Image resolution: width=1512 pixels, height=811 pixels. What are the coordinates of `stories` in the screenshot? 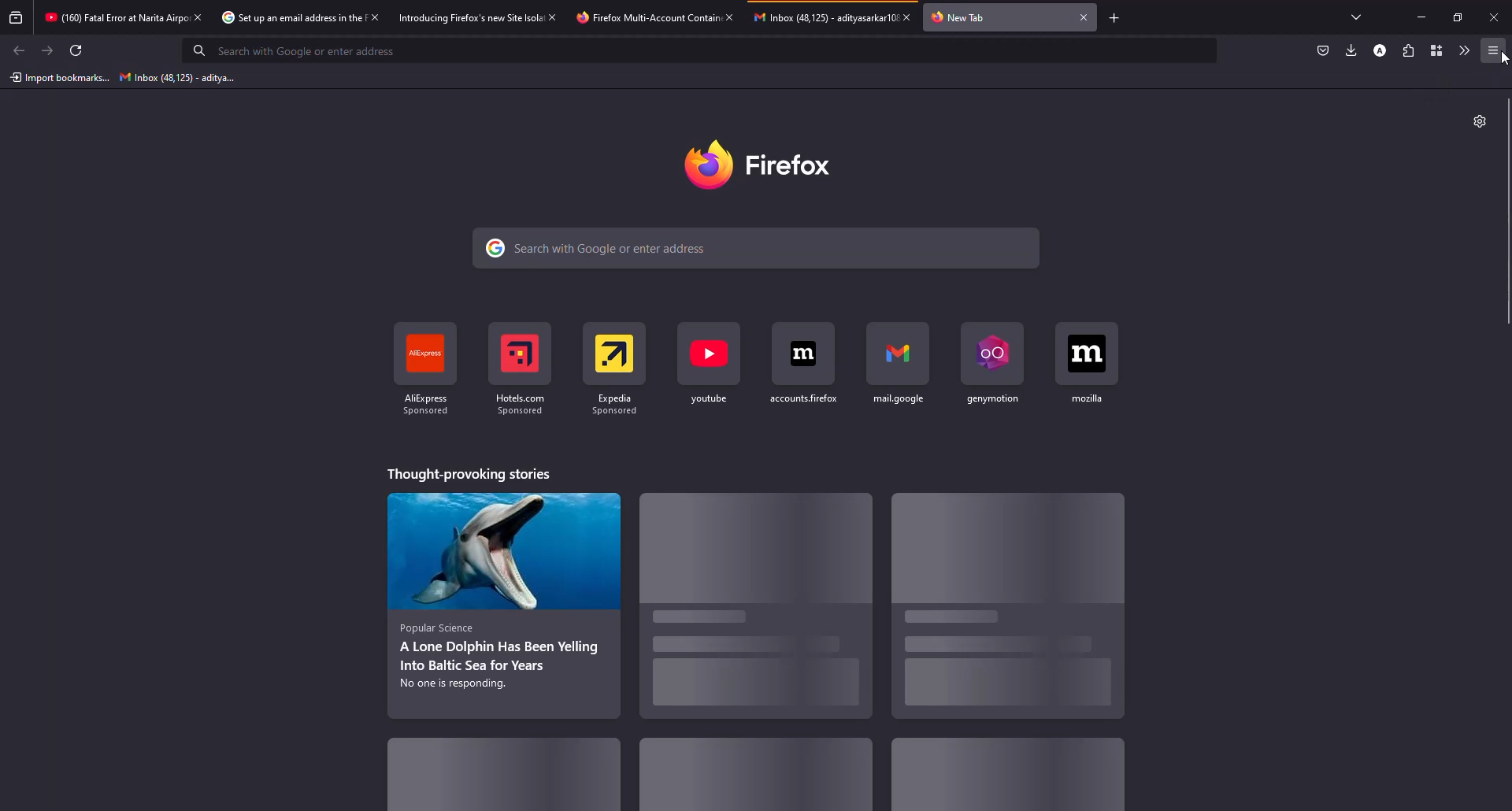 It's located at (502, 599).